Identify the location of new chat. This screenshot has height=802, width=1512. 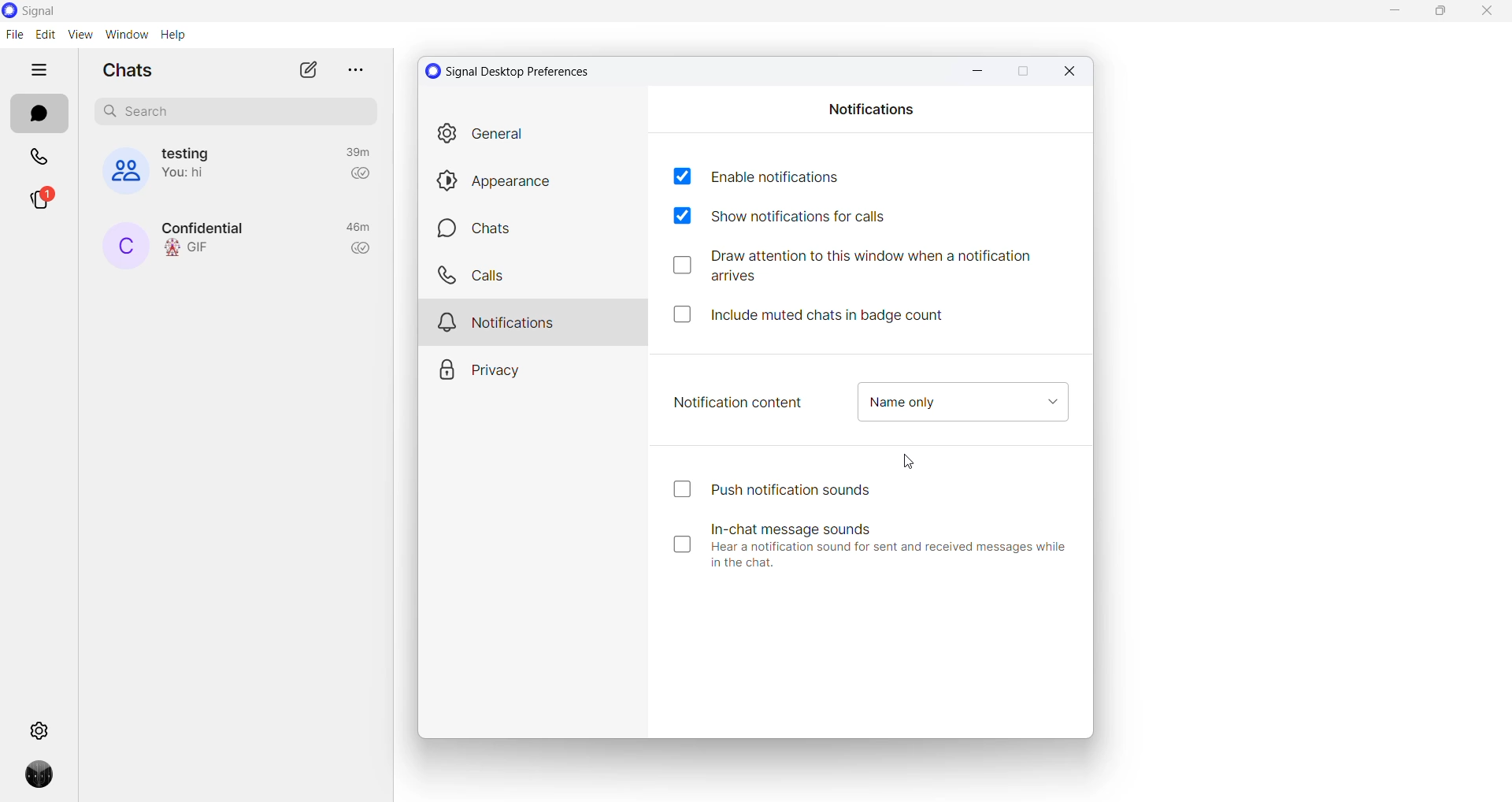
(306, 71).